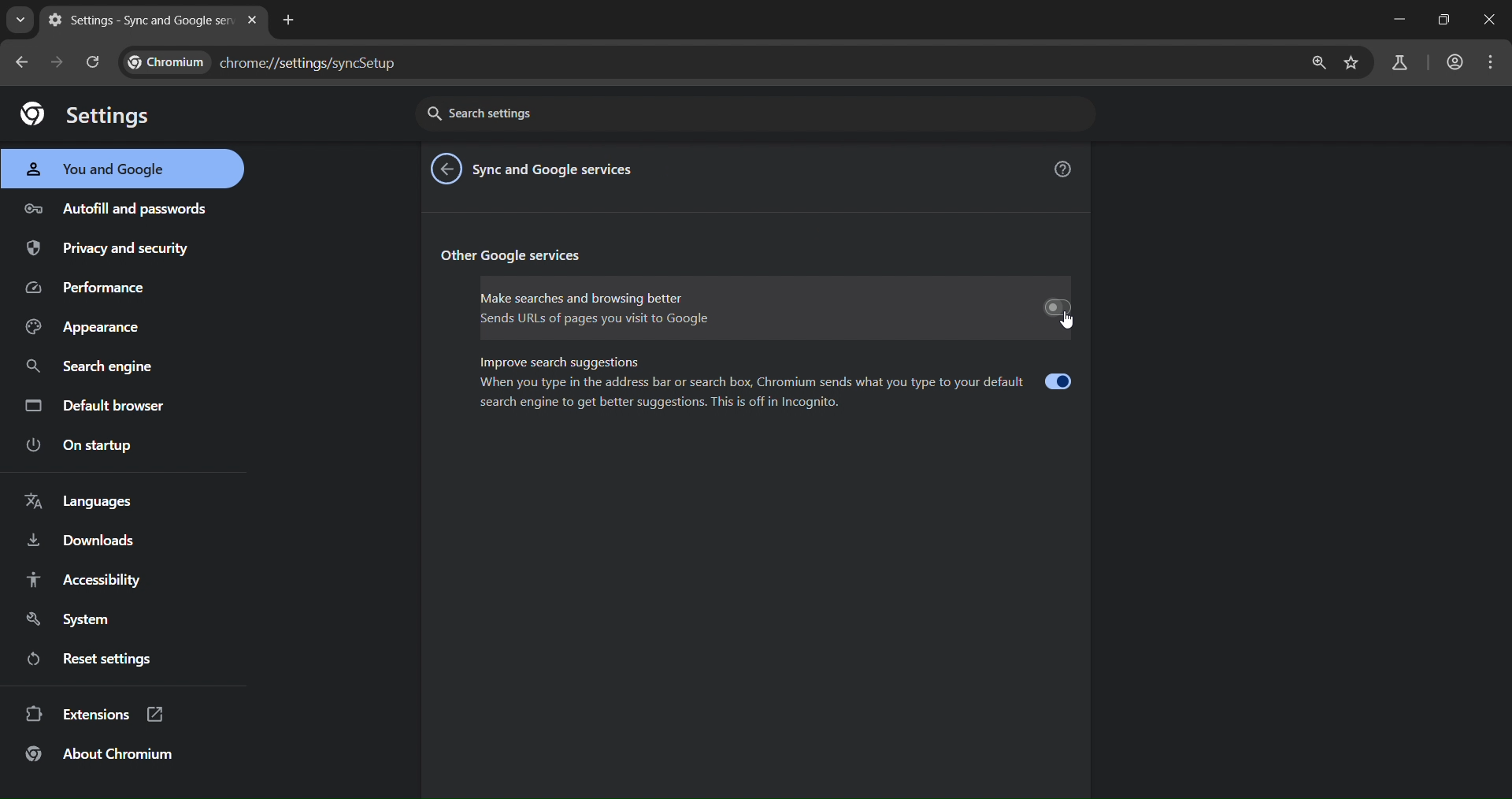 This screenshot has width=1512, height=799. Describe the element at coordinates (524, 255) in the screenshot. I see `Other Google services` at that location.